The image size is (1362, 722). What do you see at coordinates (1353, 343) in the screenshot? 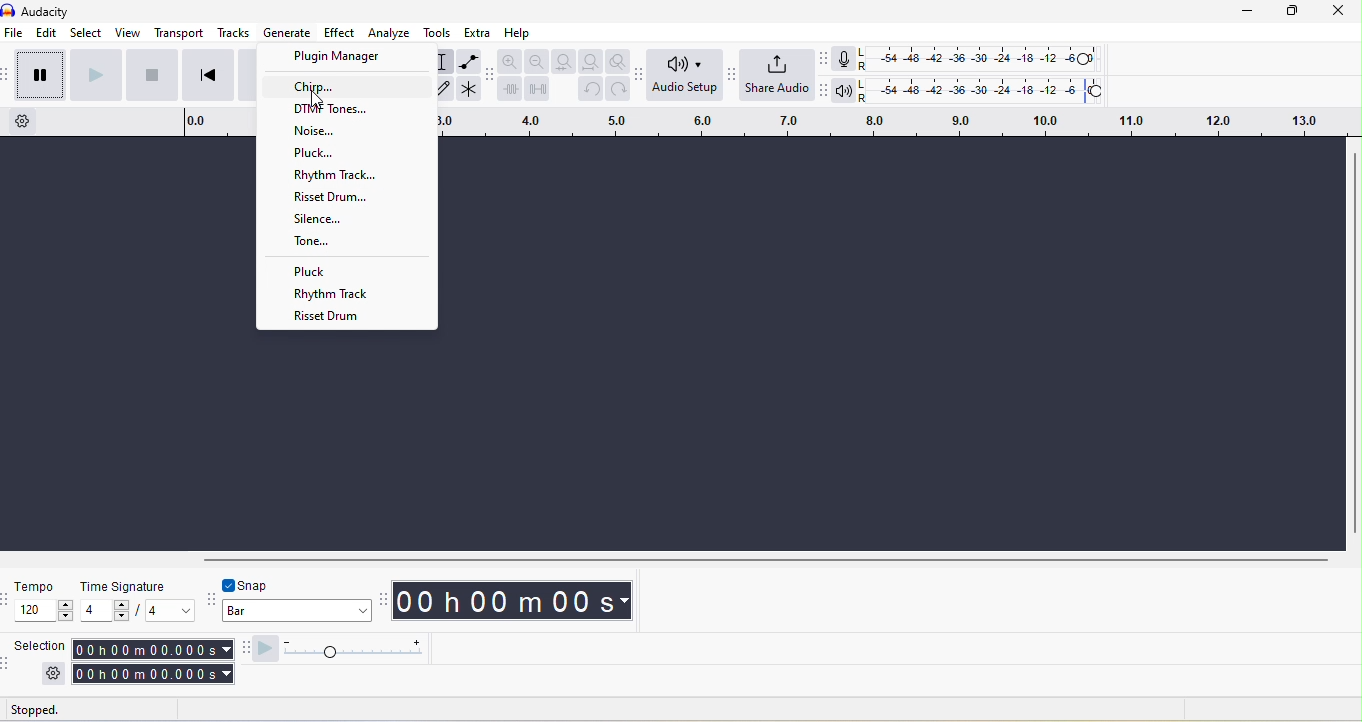
I see `vertical scroll bar` at bounding box center [1353, 343].